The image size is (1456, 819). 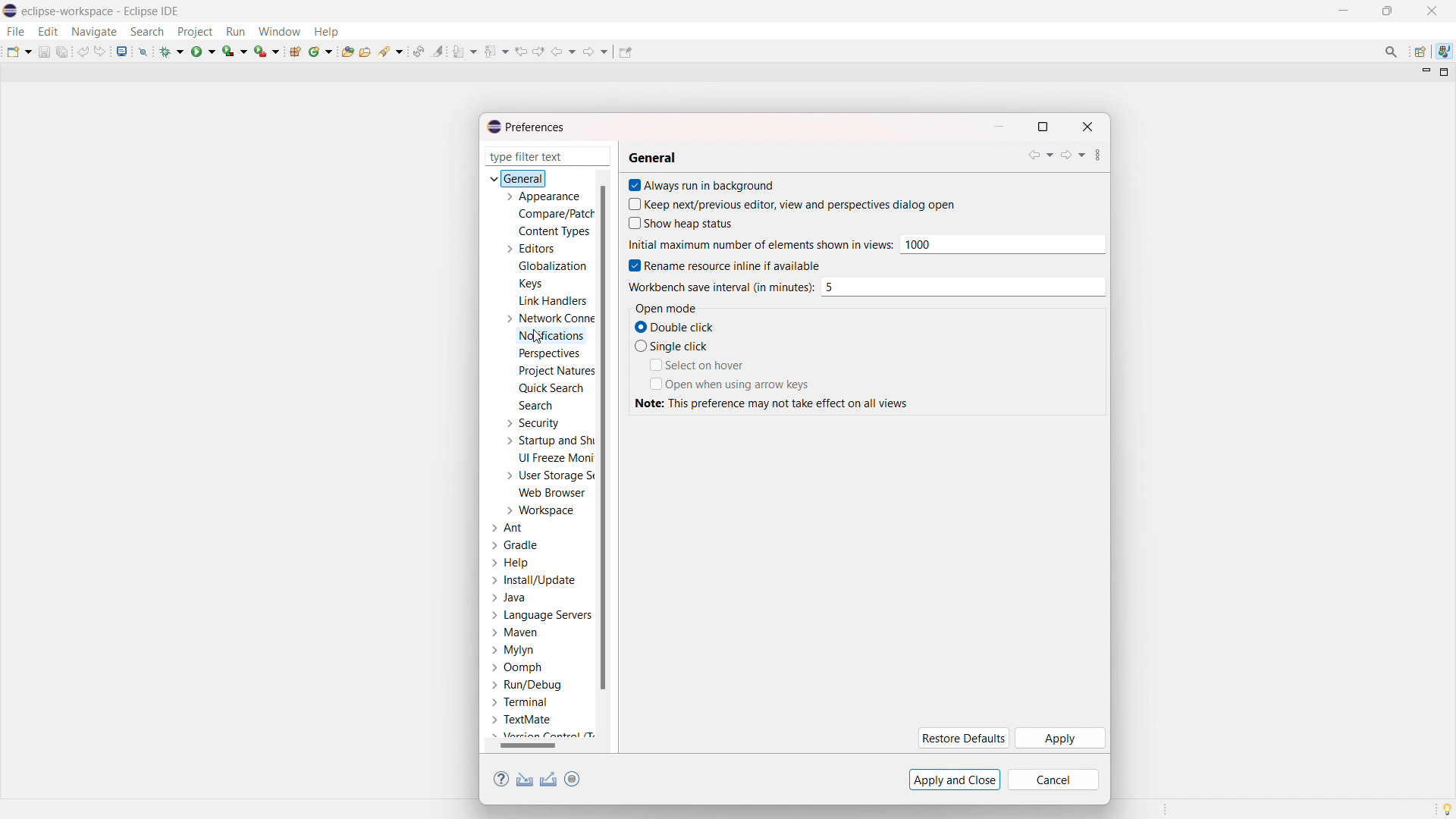 What do you see at coordinates (326, 30) in the screenshot?
I see `help` at bounding box center [326, 30].